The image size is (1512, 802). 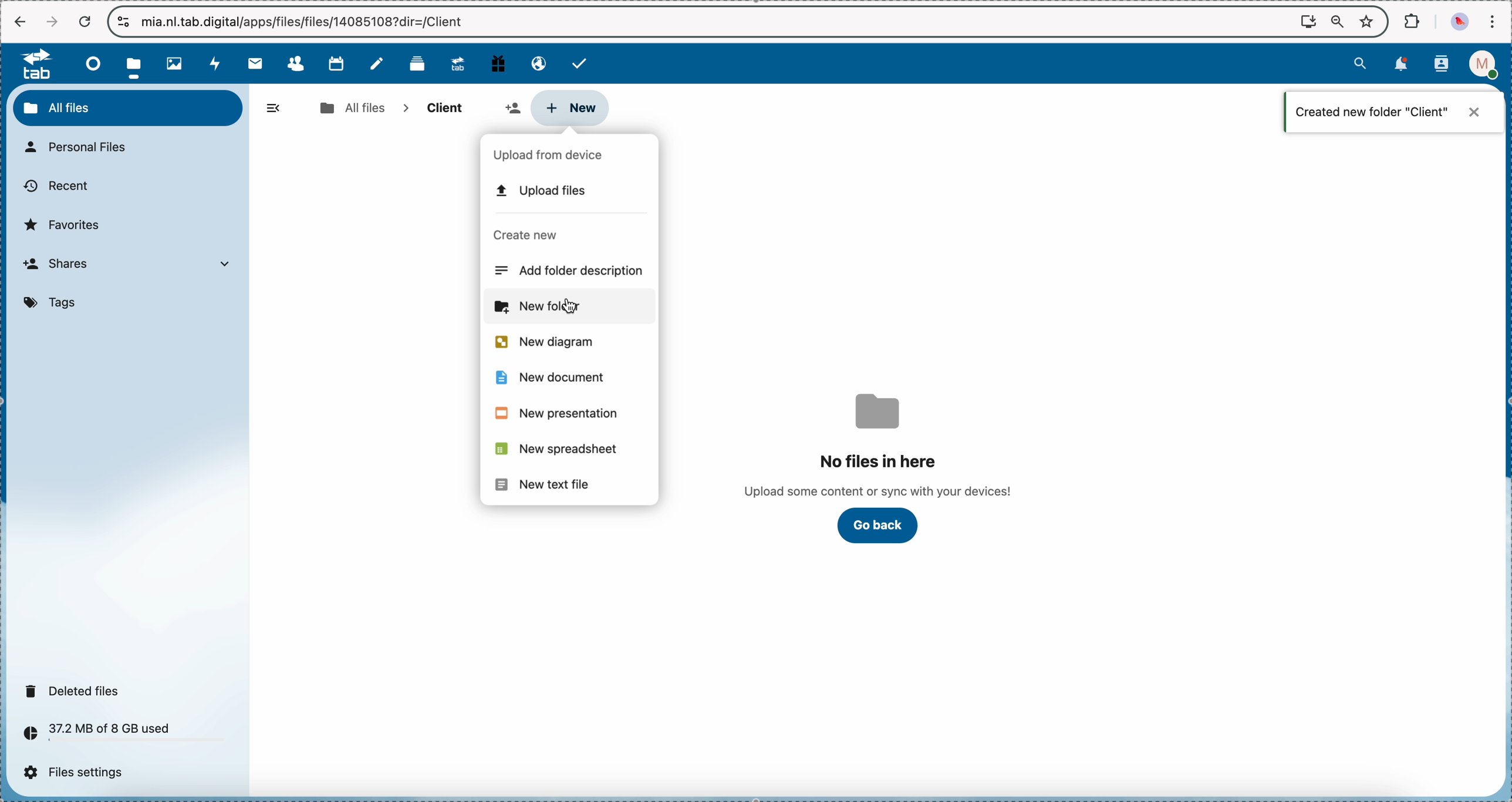 I want to click on screen, so click(x=1308, y=21).